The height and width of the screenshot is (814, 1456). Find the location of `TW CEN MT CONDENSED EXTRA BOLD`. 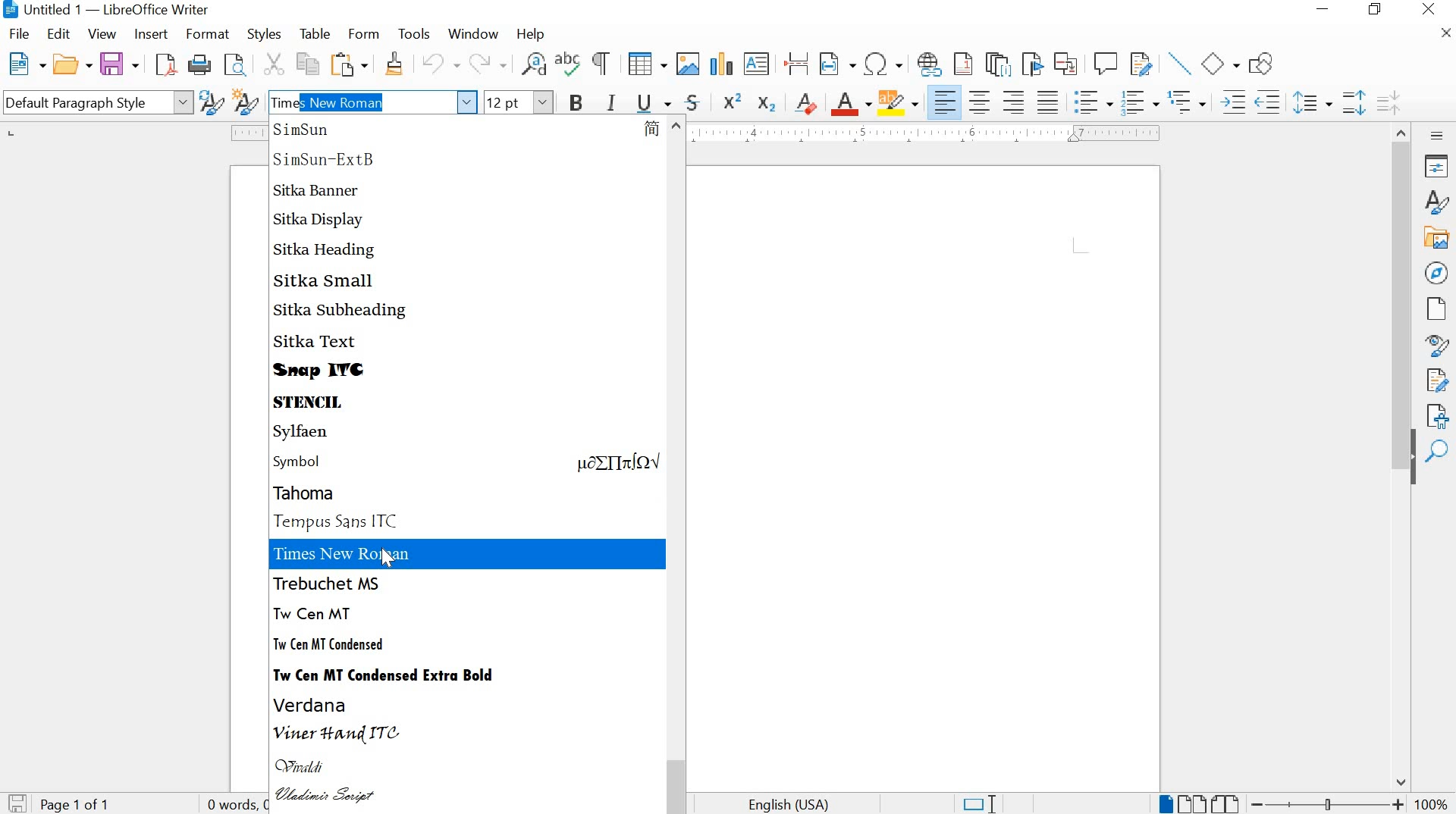

TW CEN MT CONDENSED EXTRA BOLD is located at coordinates (386, 673).